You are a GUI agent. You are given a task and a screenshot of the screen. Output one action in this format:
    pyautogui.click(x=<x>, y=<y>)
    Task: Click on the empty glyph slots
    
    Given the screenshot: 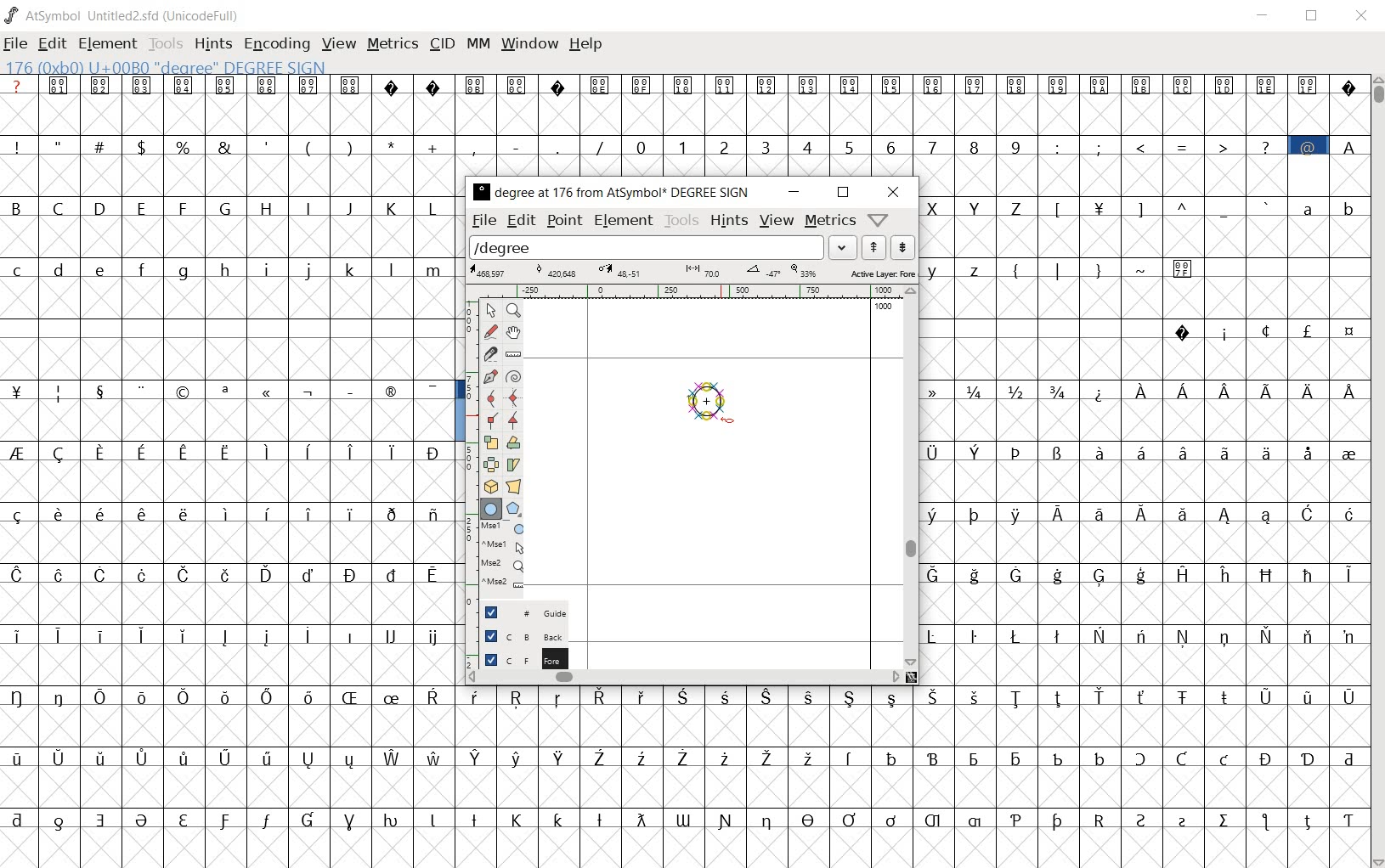 What is the action you would take?
    pyautogui.click(x=1142, y=237)
    